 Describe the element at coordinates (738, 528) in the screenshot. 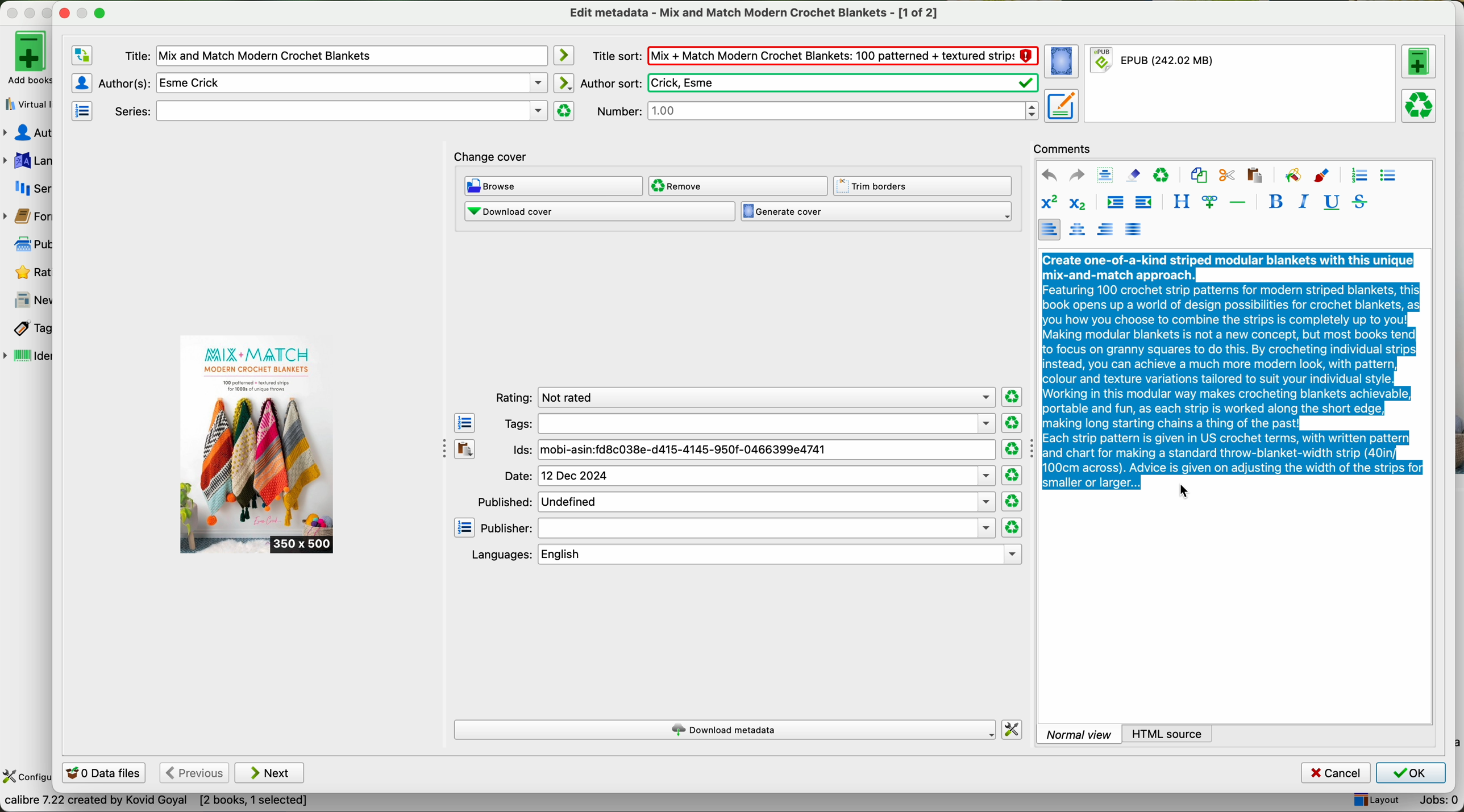

I see `publisher` at that location.